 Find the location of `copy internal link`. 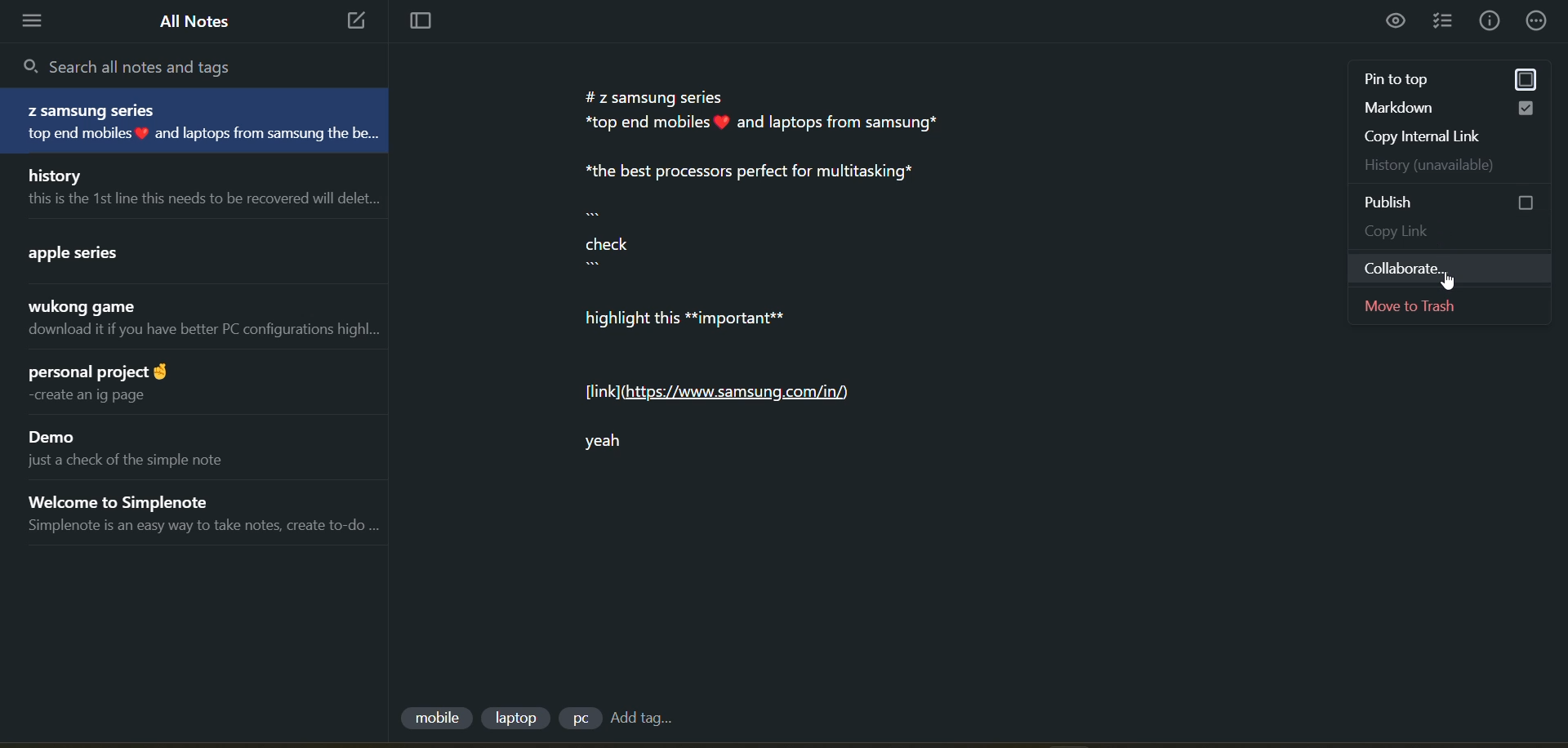

copy internal link is located at coordinates (1463, 141).